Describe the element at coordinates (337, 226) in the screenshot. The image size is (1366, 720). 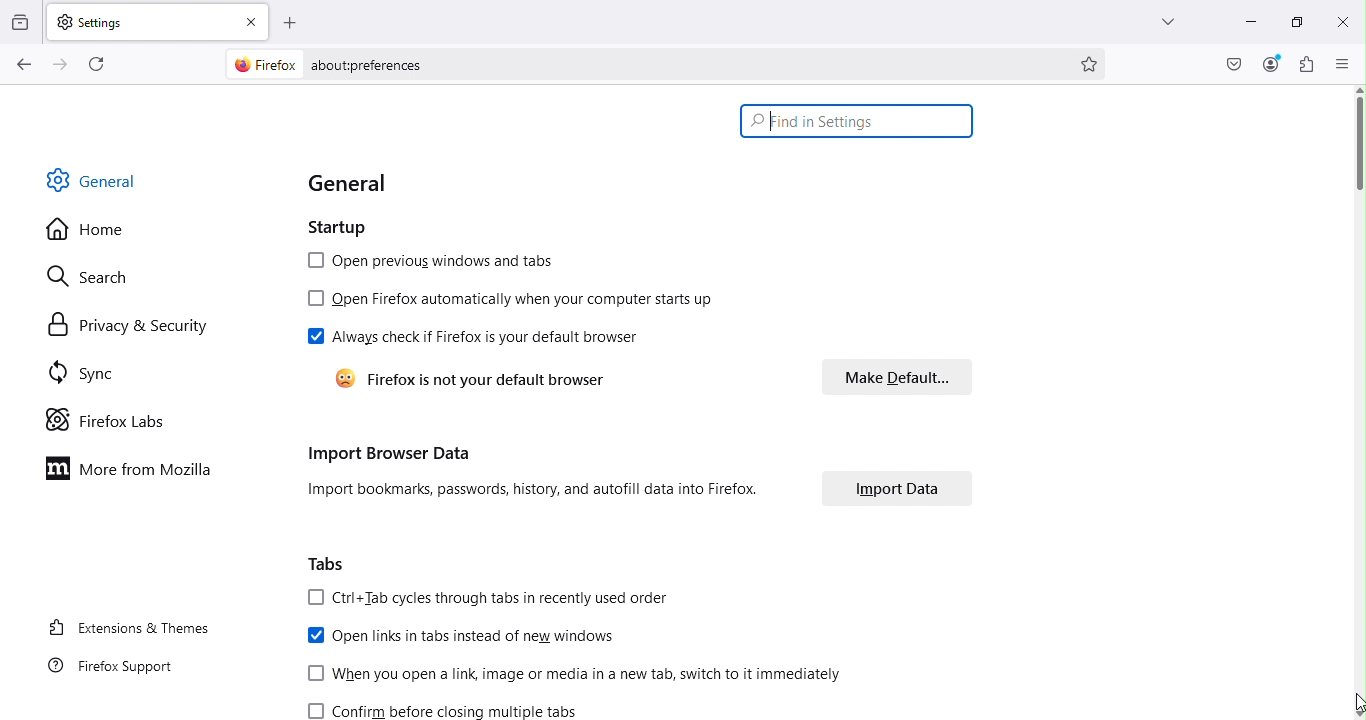
I see `Startup` at that location.